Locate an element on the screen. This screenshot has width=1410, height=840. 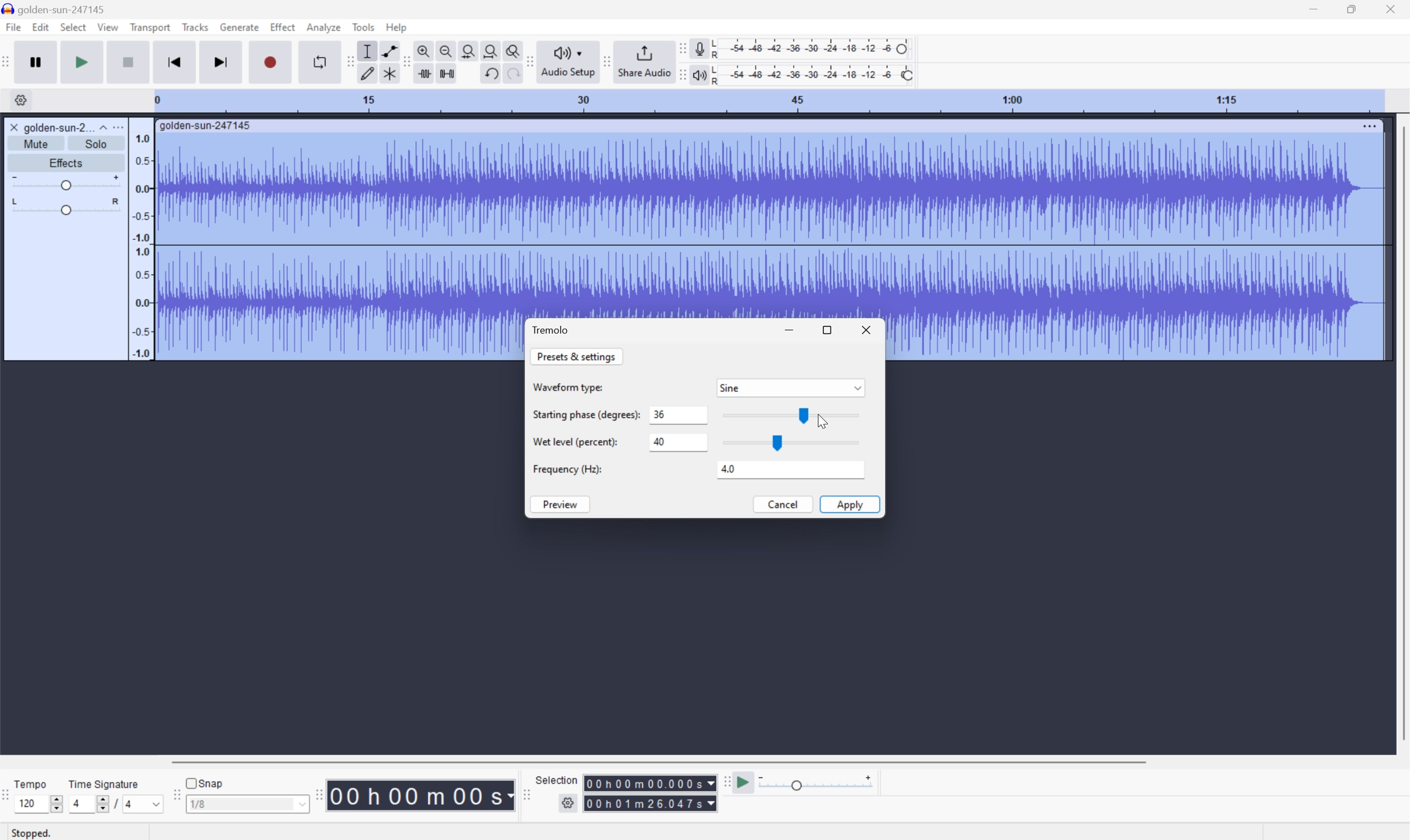
Selection is located at coordinates (556, 779).